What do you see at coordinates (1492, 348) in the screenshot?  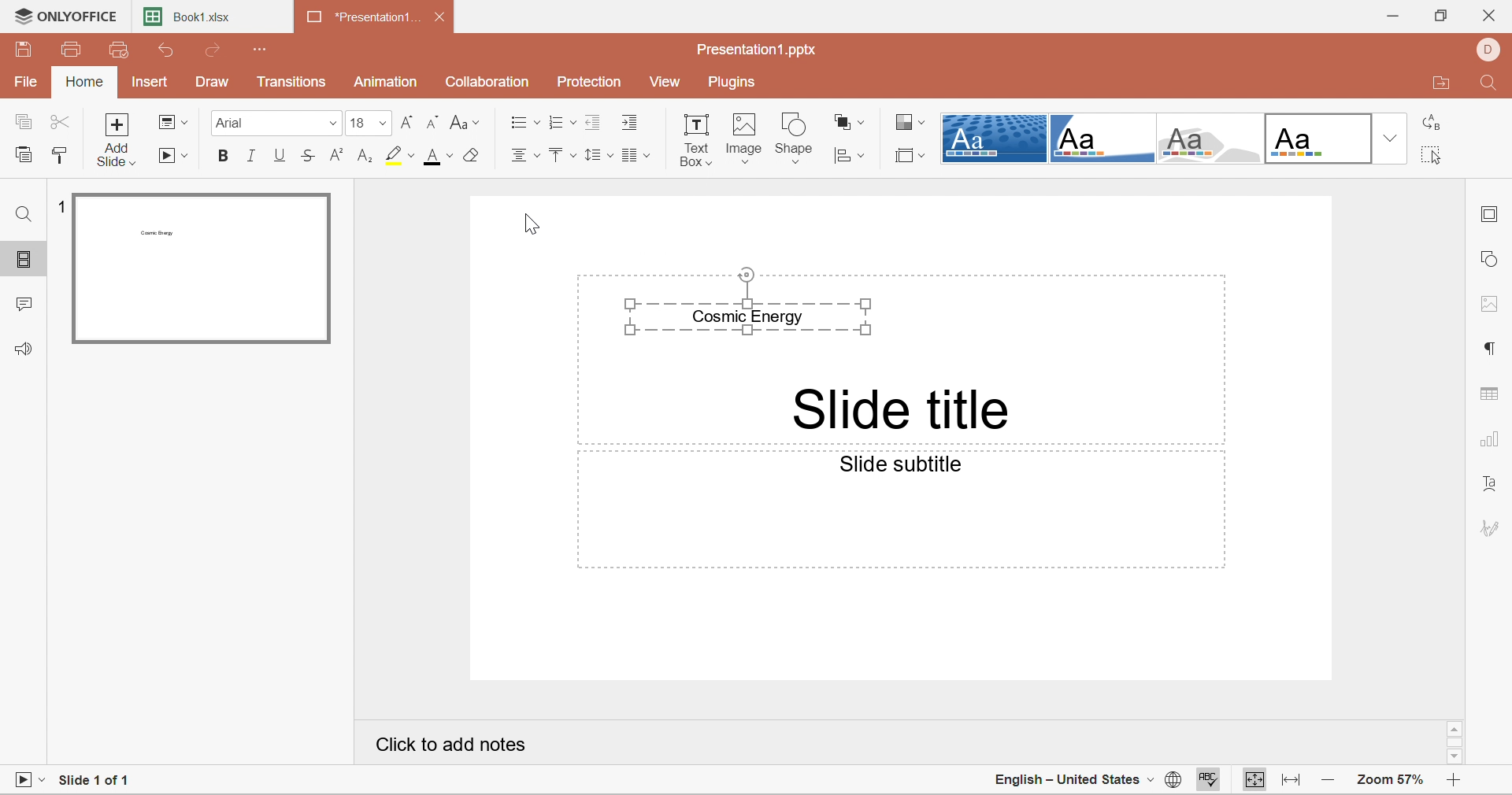 I see `Paragraph settings` at bounding box center [1492, 348].